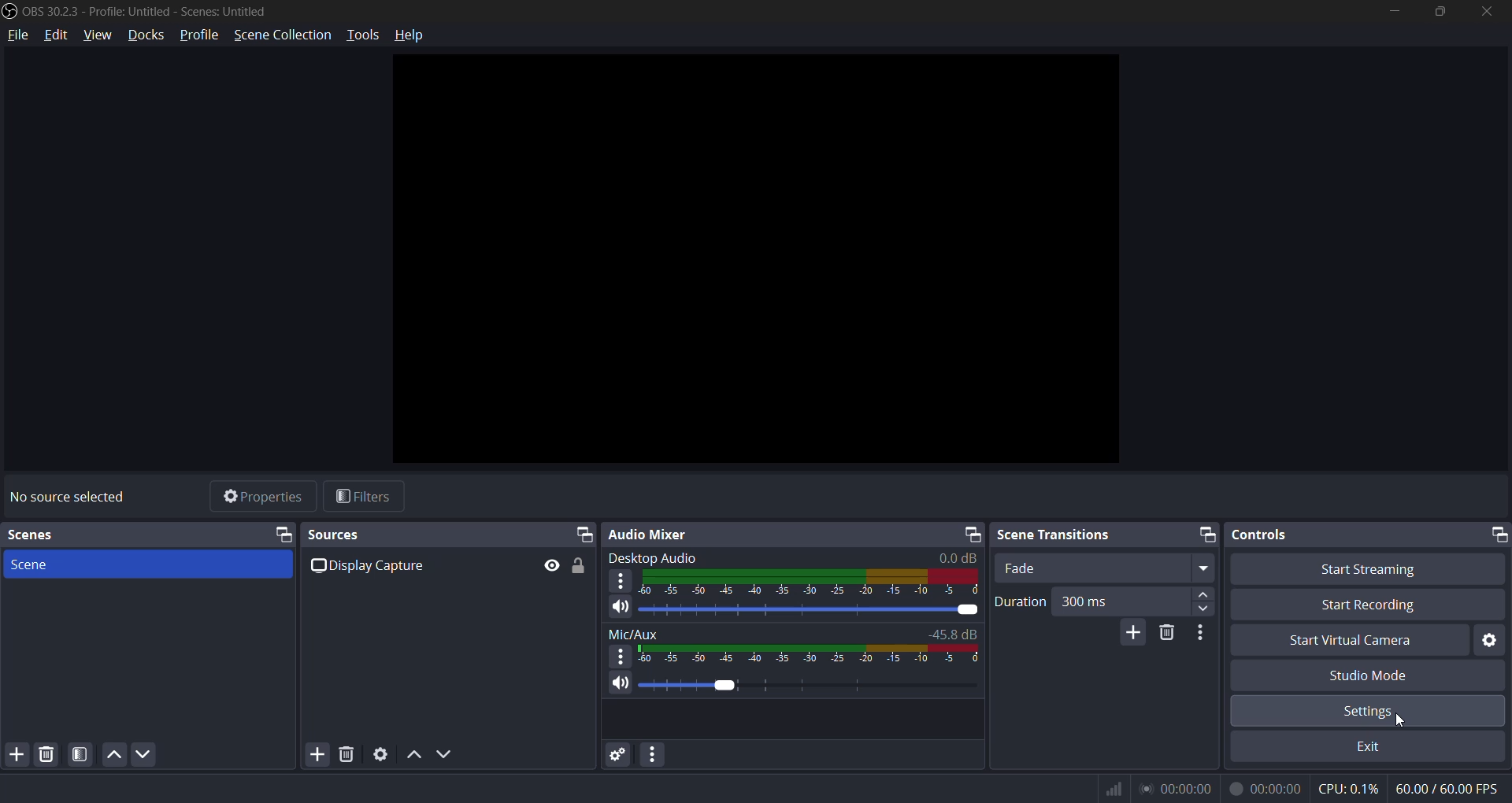  What do you see at coordinates (1101, 569) in the screenshot?
I see `fade` at bounding box center [1101, 569].